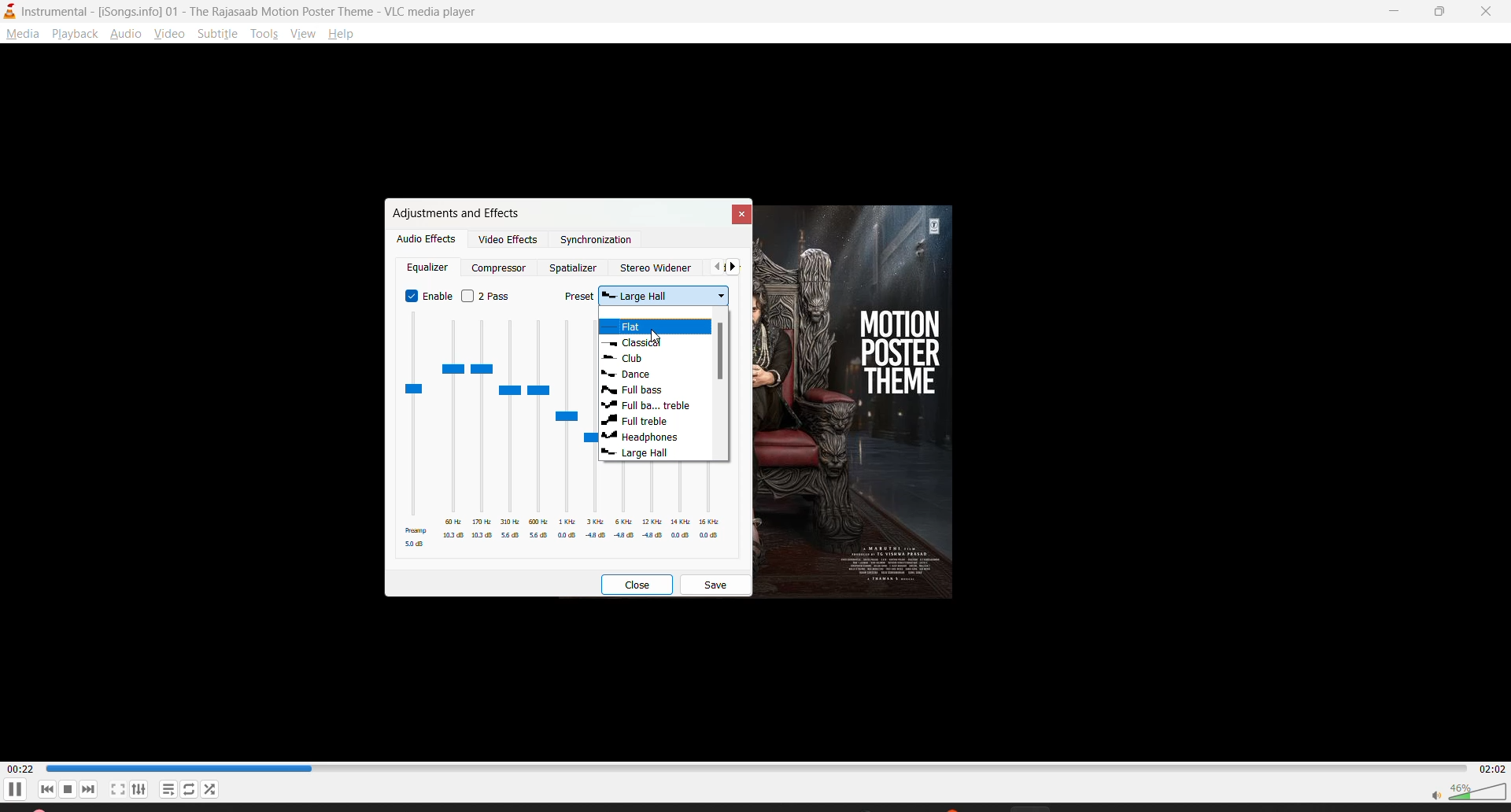 This screenshot has width=1511, height=812. What do you see at coordinates (17, 792) in the screenshot?
I see `pause` at bounding box center [17, 792].